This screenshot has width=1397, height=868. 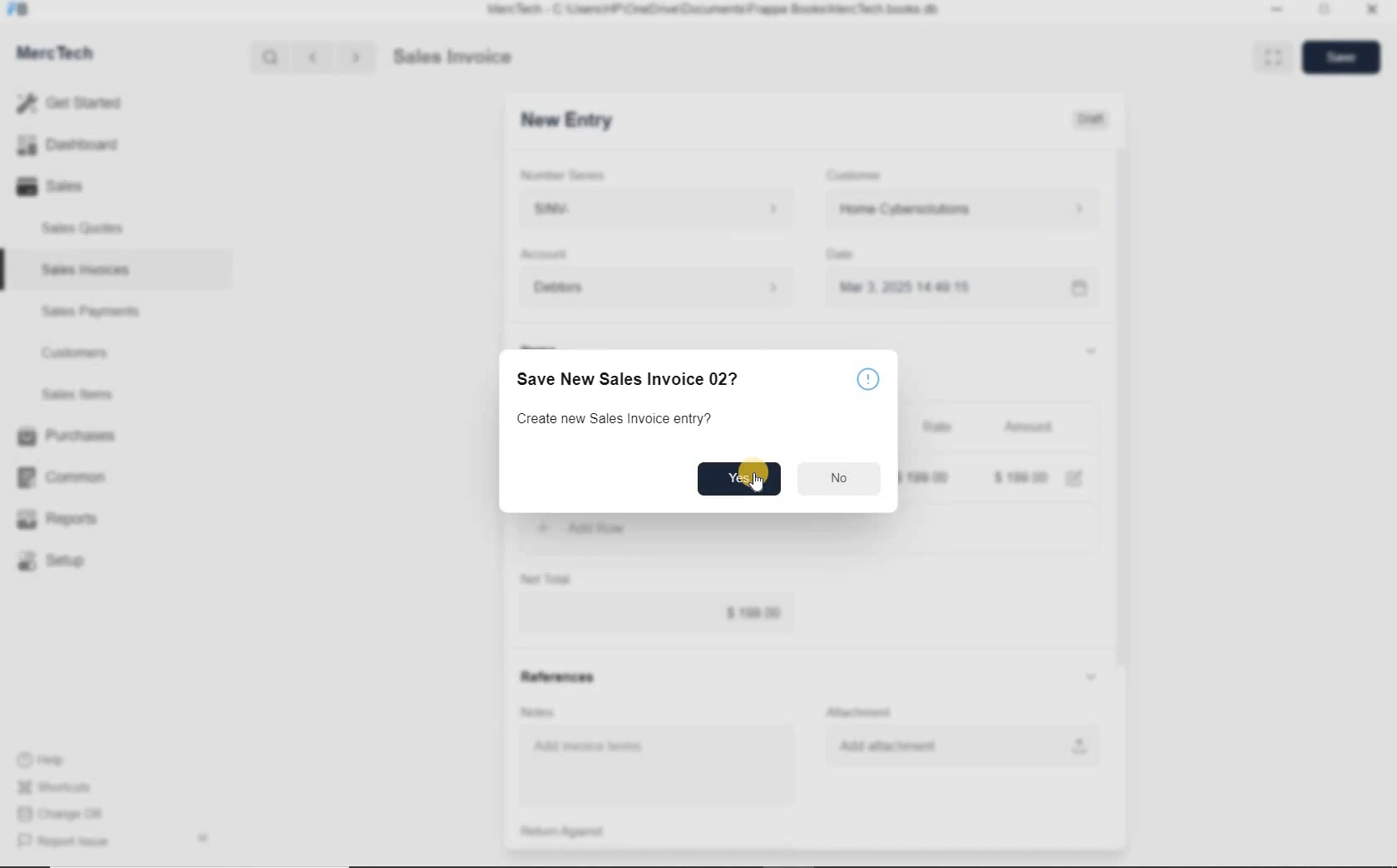 What do you see at coordinates (556, 677) in the screenshot?
I see `References` at bounding box center [556, 677].